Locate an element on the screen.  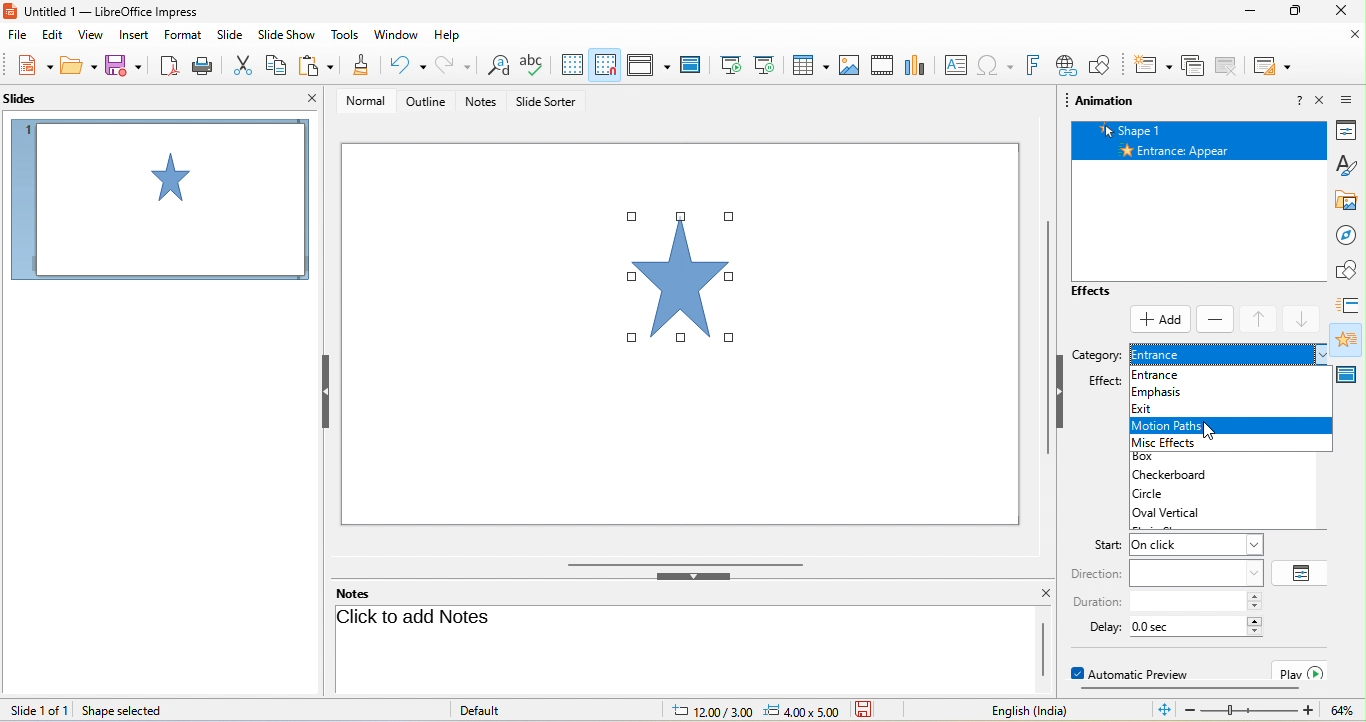
slide transition is located at coordinates (1350, 305).